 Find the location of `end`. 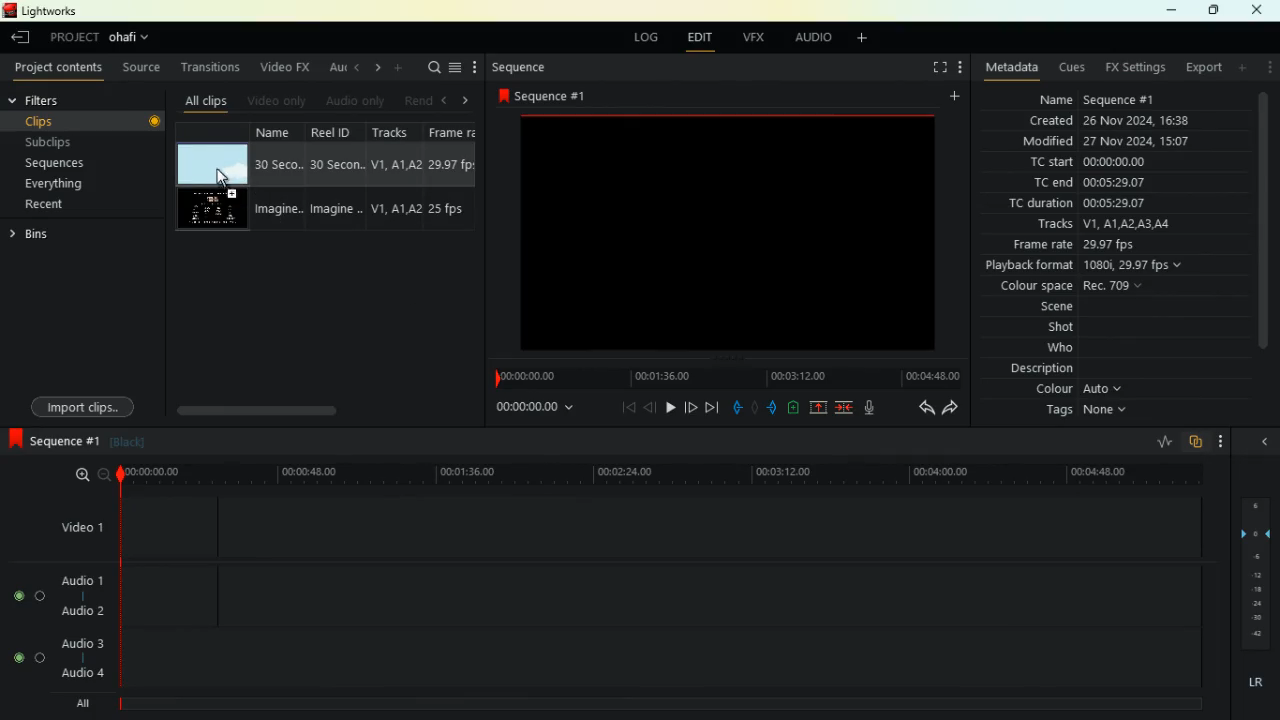

end is located at coordinates (714, 407).